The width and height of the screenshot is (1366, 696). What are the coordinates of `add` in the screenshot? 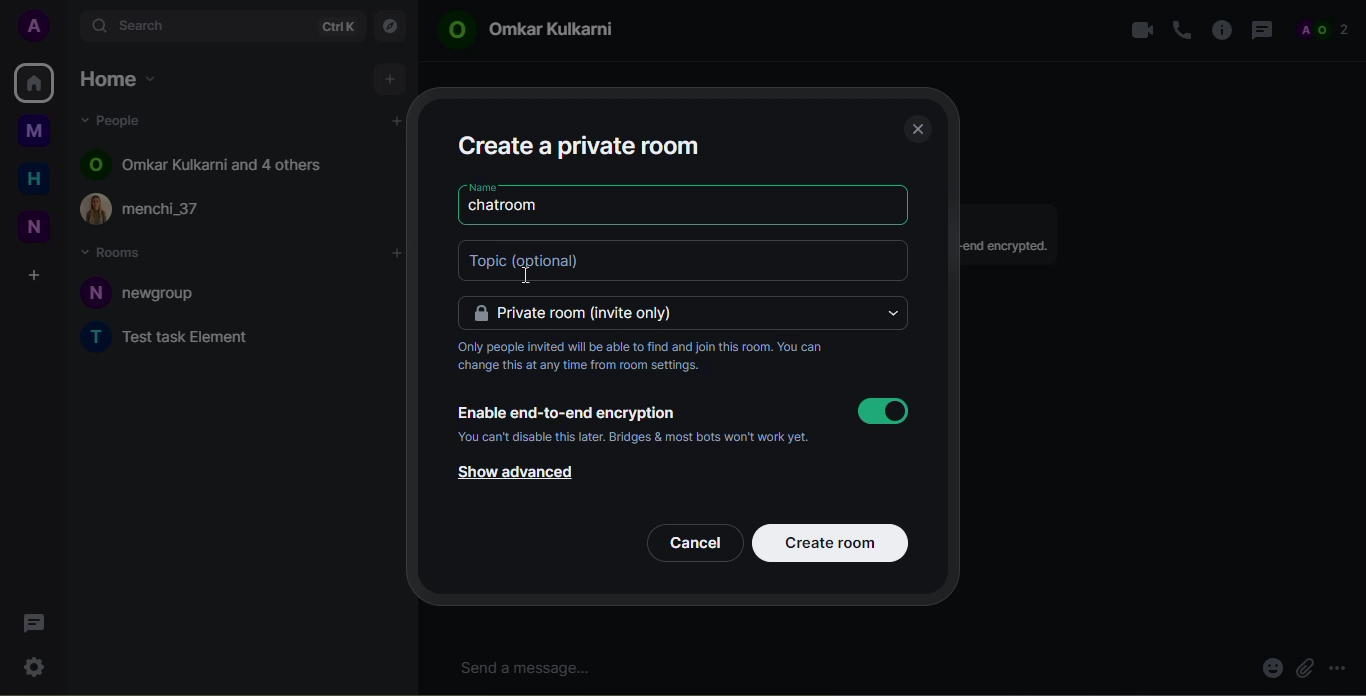 It's located at (397, 121).